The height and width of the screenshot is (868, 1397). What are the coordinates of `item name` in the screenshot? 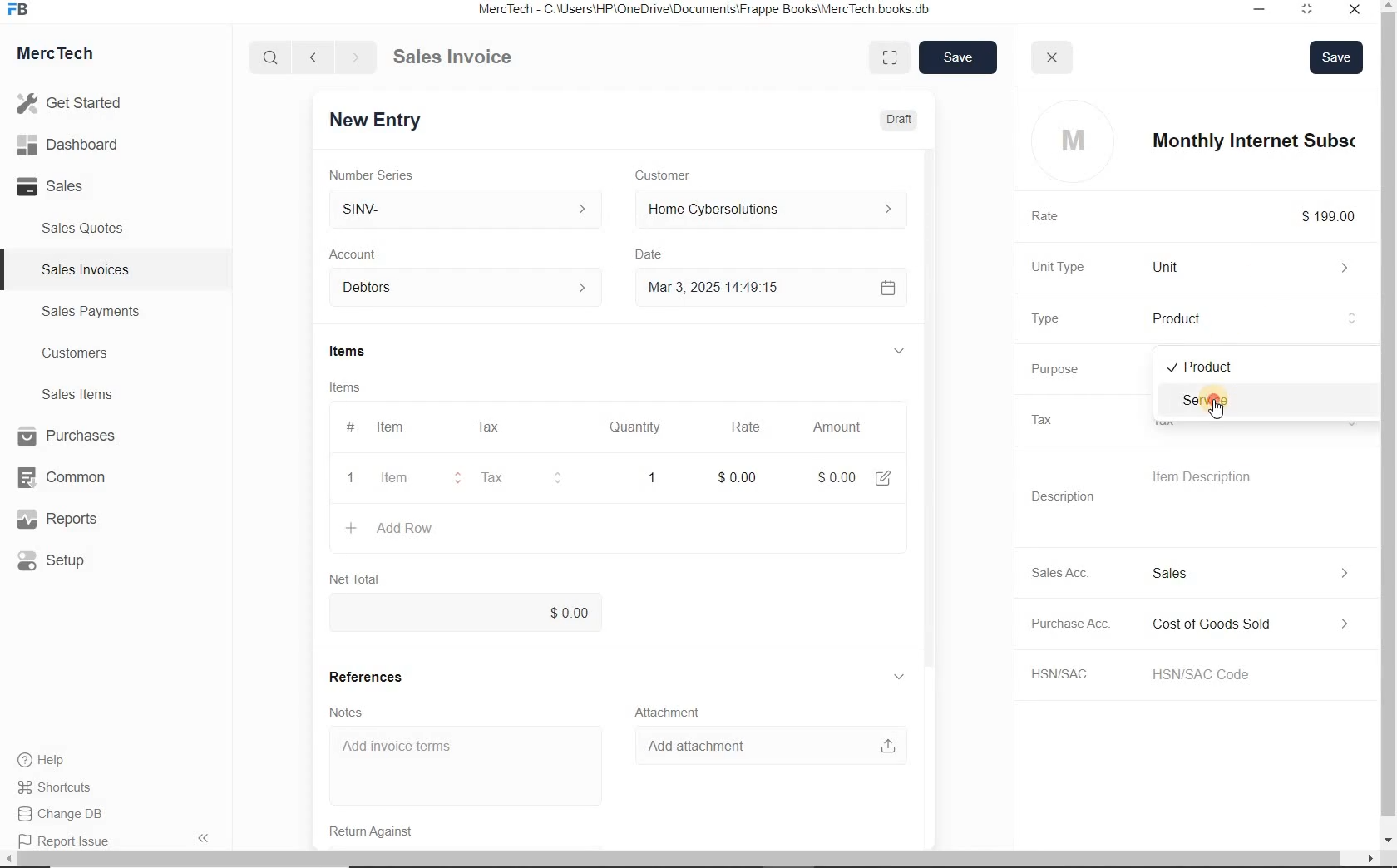 It's located at (1255, 141).